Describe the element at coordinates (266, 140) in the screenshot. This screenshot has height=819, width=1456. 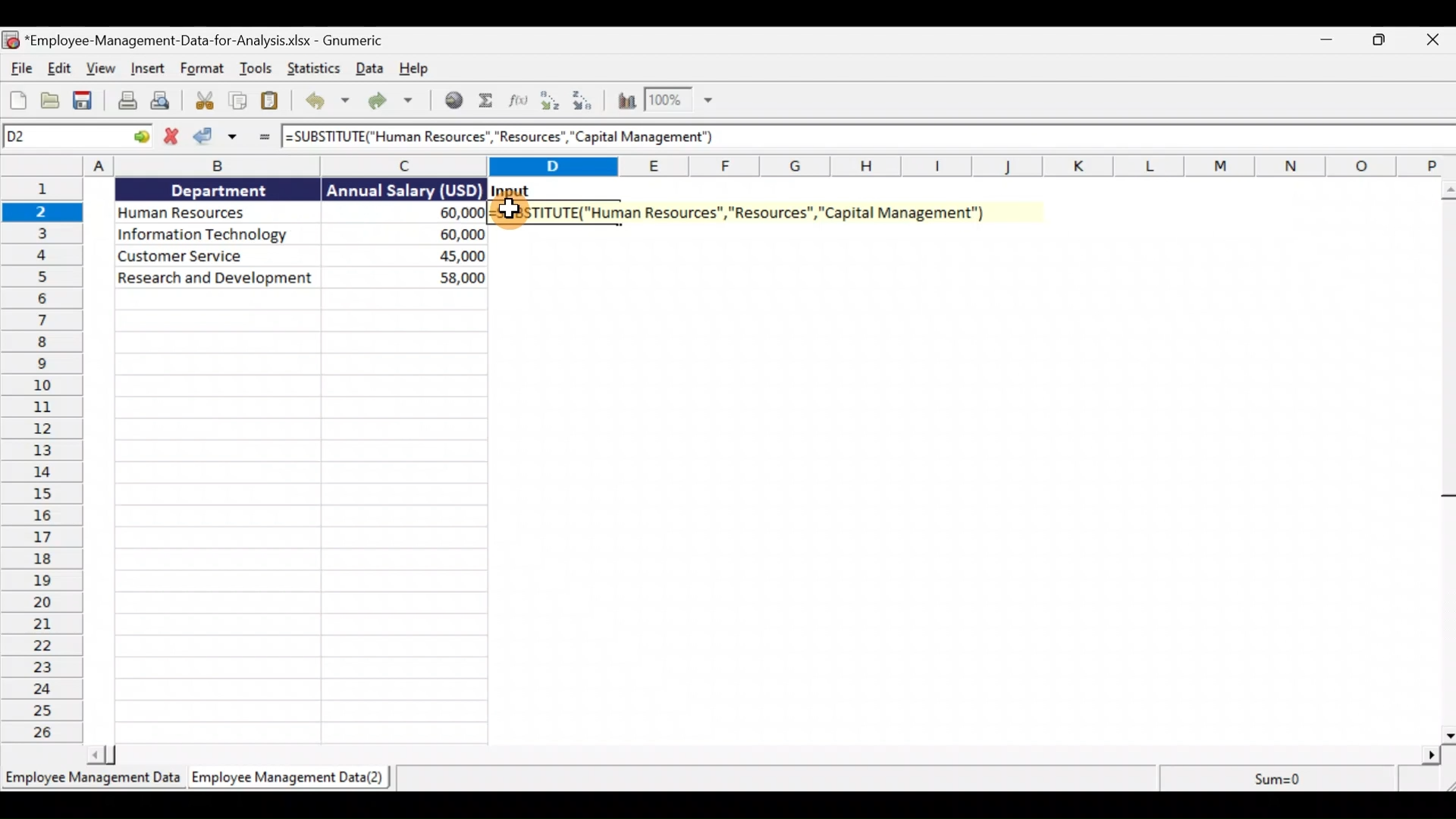
I see `Enter formula` at that location.